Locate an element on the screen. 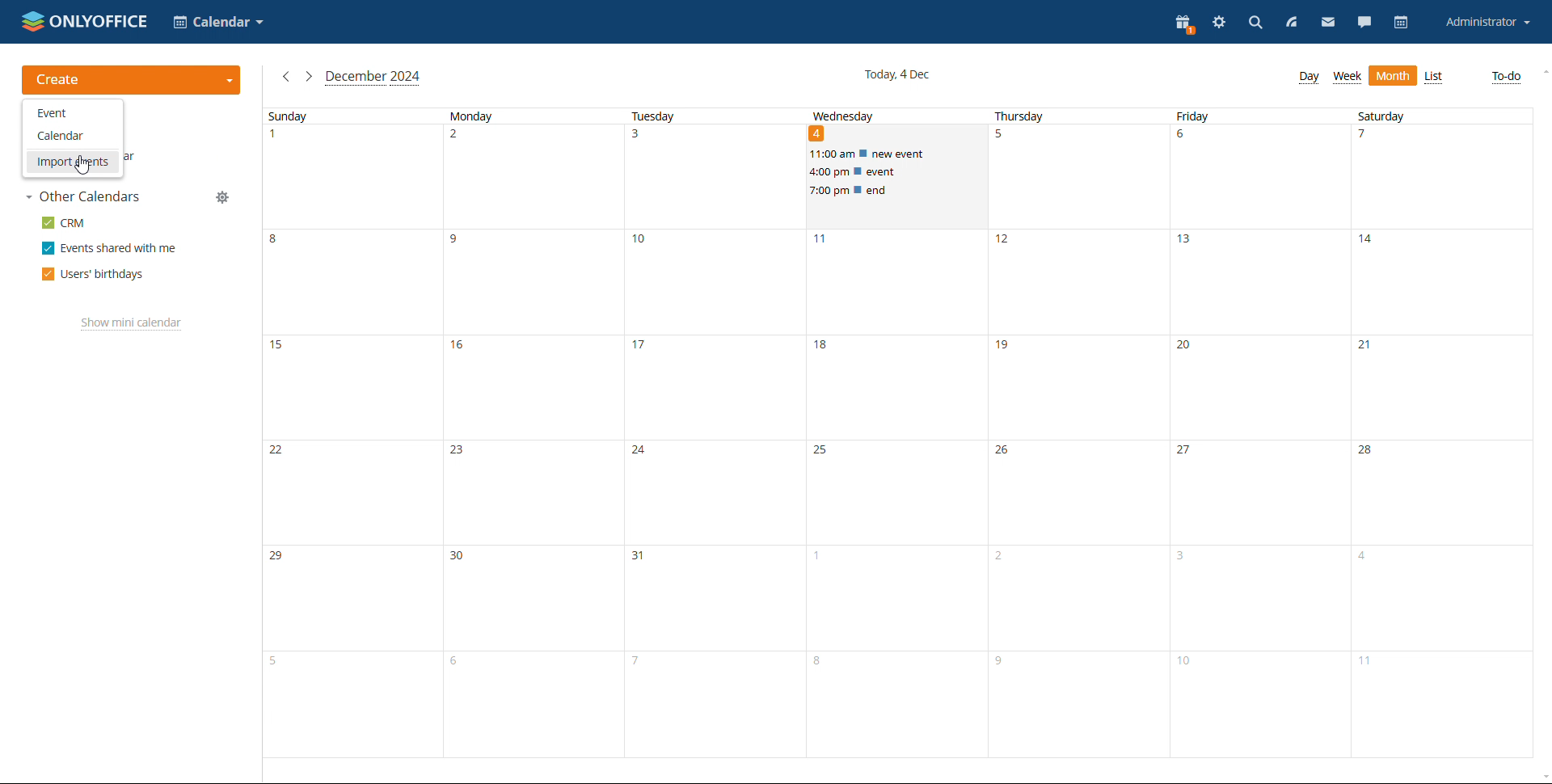  scroll up is located at coordinates (1542, 72).